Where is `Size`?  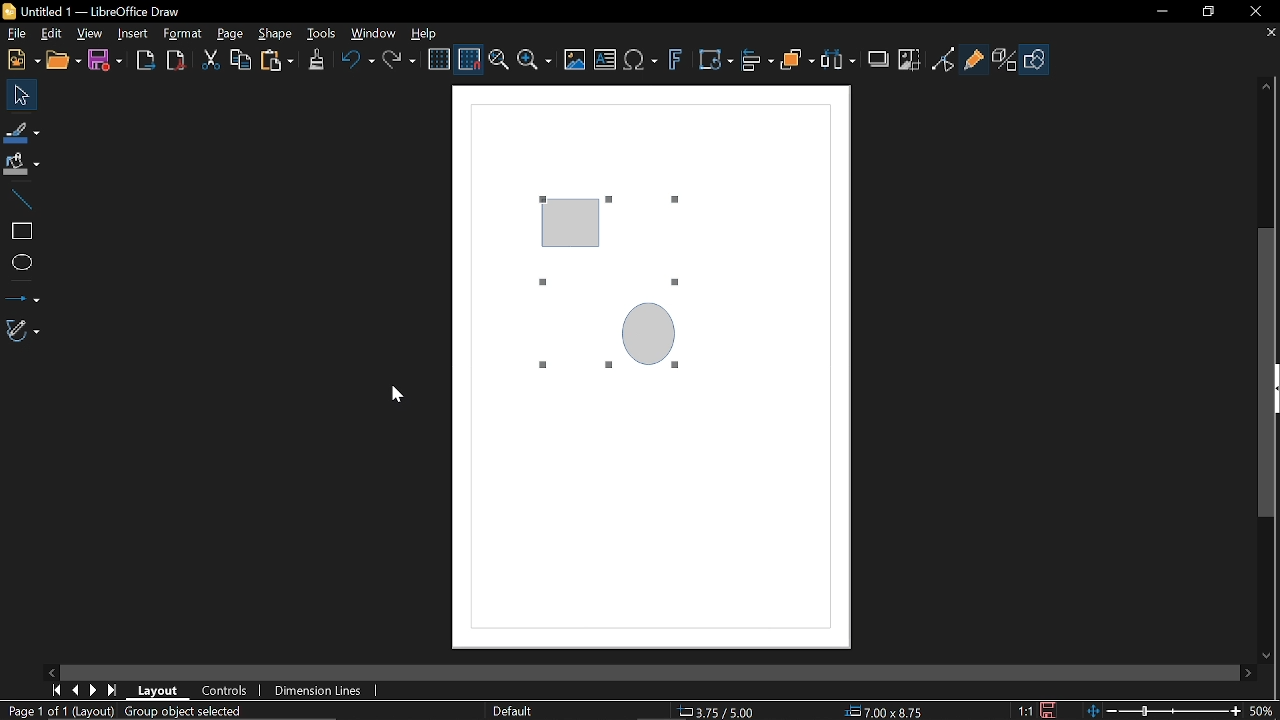
Size is located at coordinates (891, 712).